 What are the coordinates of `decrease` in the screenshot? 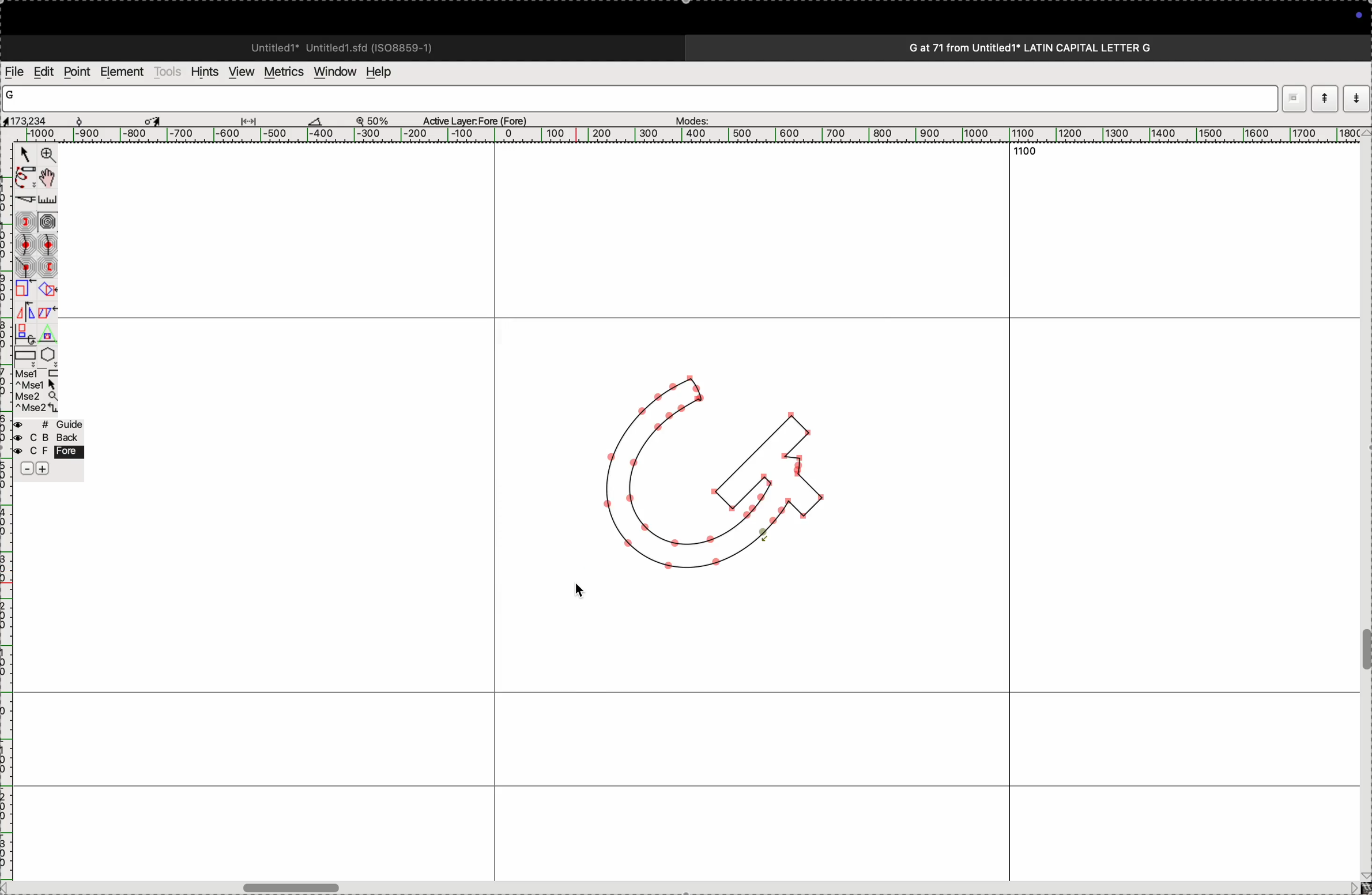 It's located at (27, 468).